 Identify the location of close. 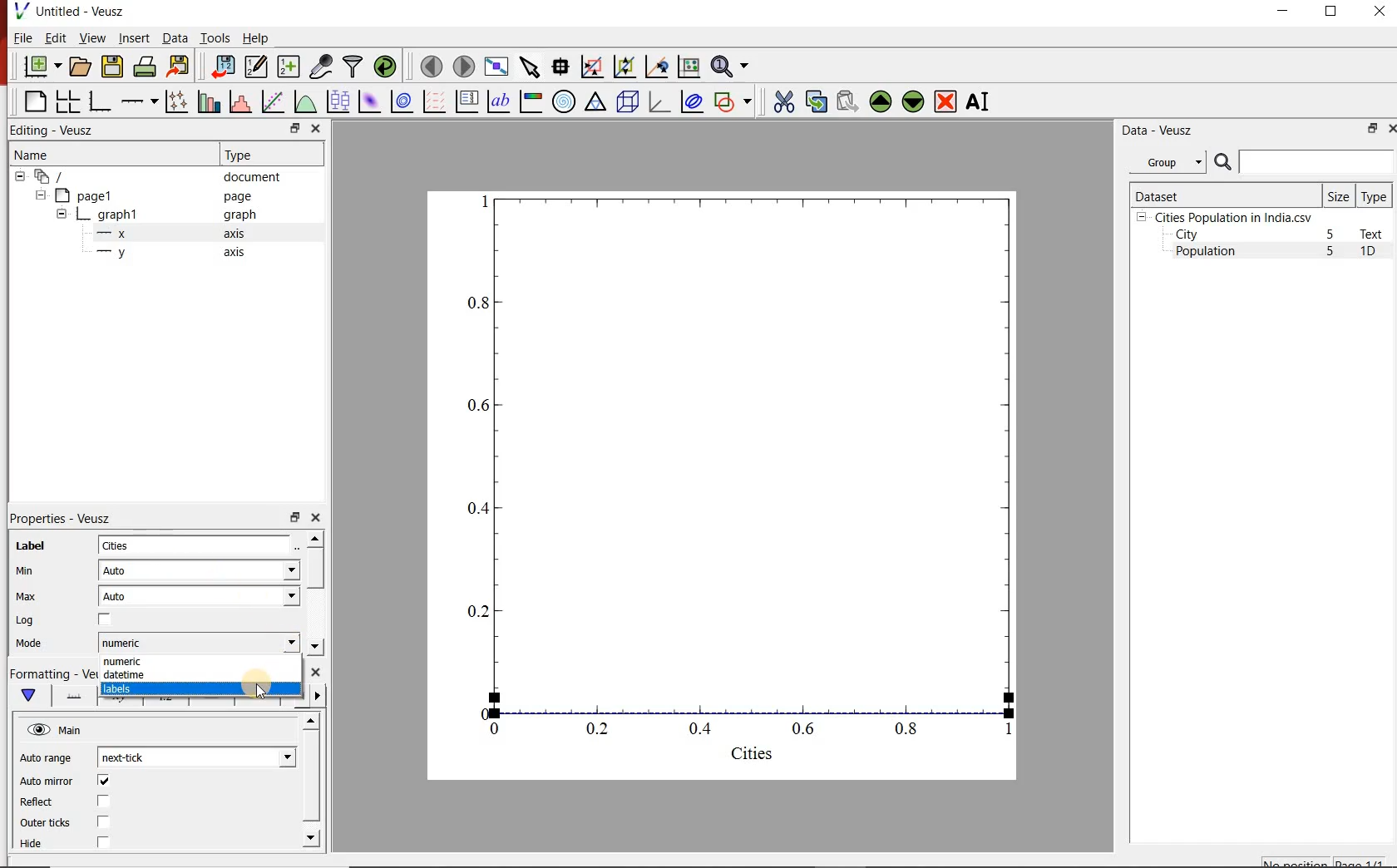
(315, 518).